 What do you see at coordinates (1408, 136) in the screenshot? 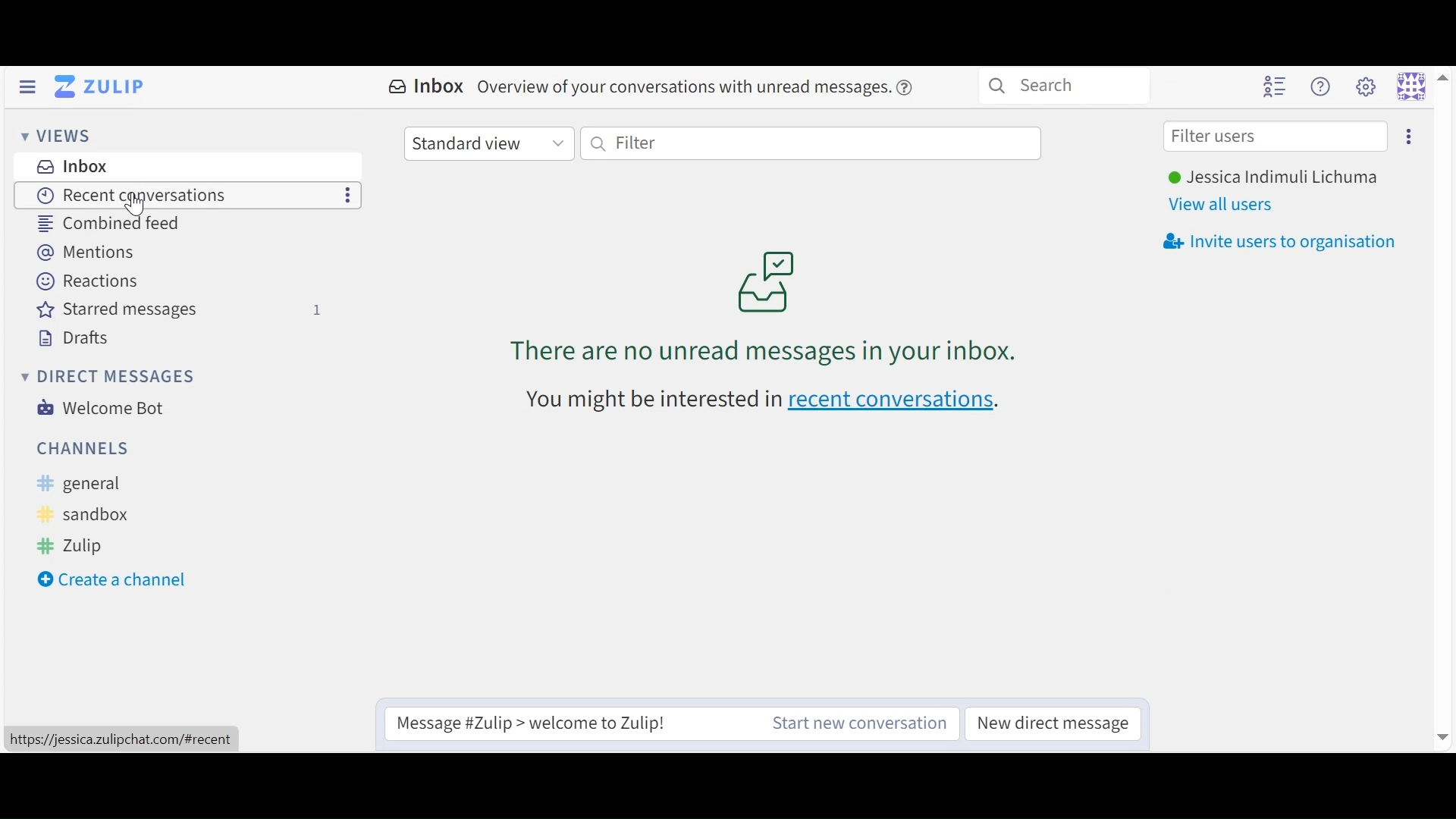
I see `Invite users to conversation` at bounding box center [1408, 136].